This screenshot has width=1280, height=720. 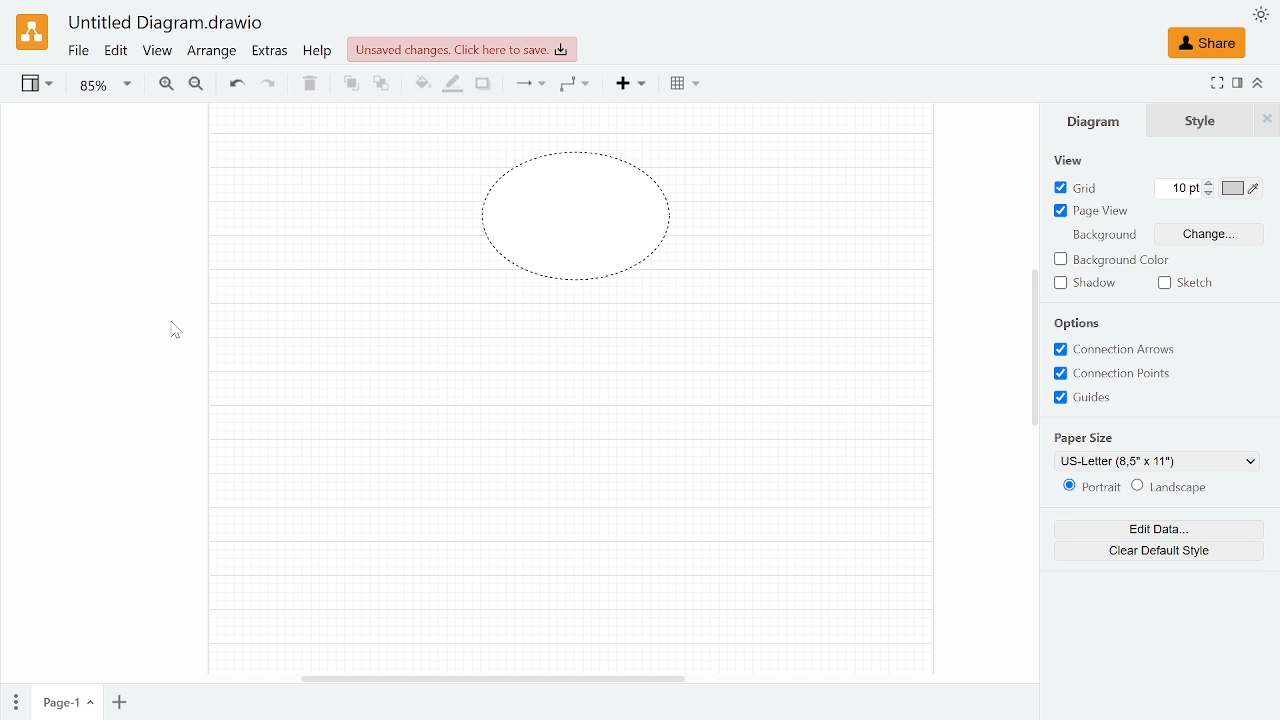 What do you see at coordinates (1188, 282) in the screenshot?
I see `Sketch` at bounding box center [1188, 282].